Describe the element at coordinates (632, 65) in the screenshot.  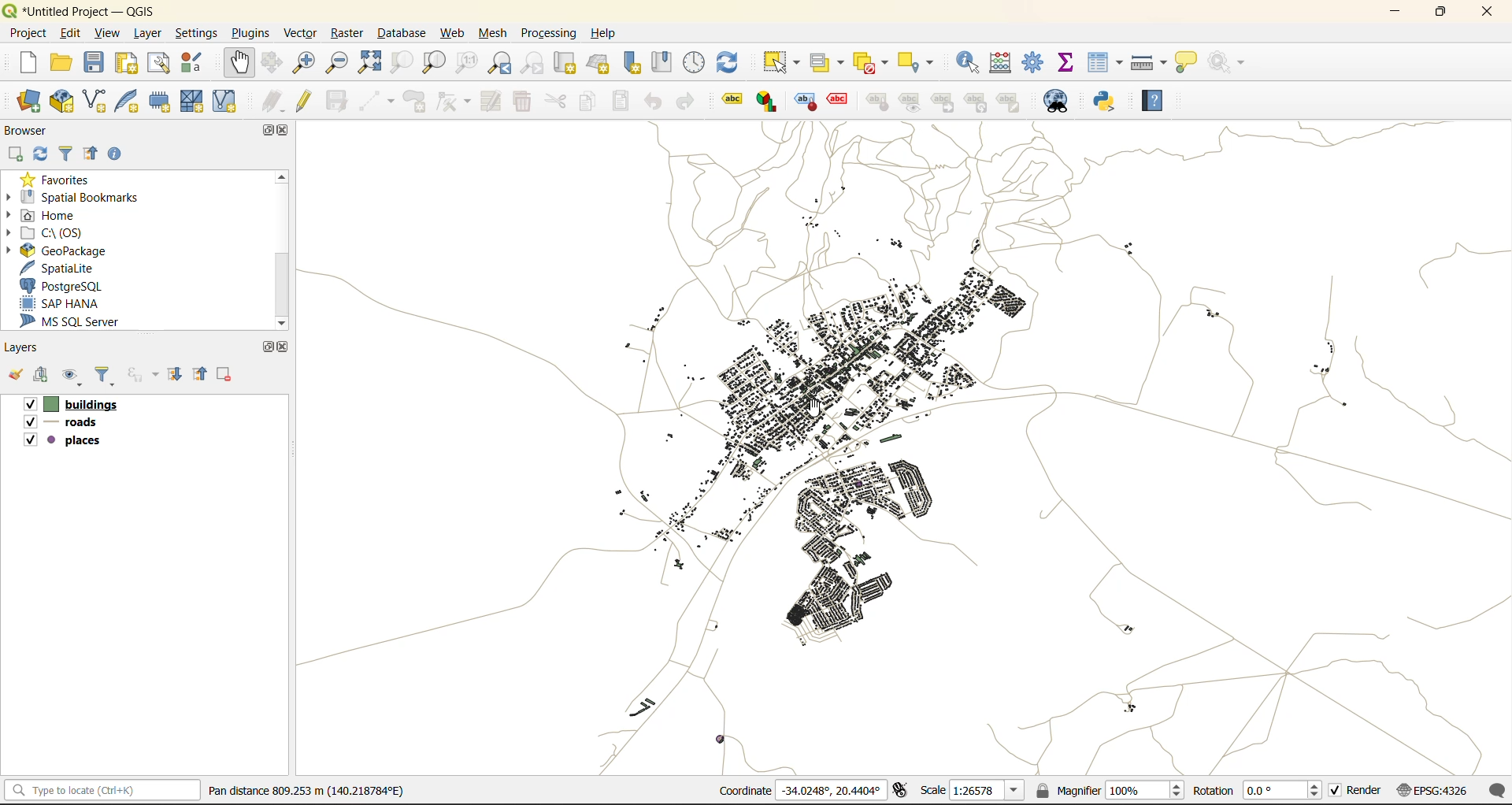
I see `new spatial bookmark` at that location.